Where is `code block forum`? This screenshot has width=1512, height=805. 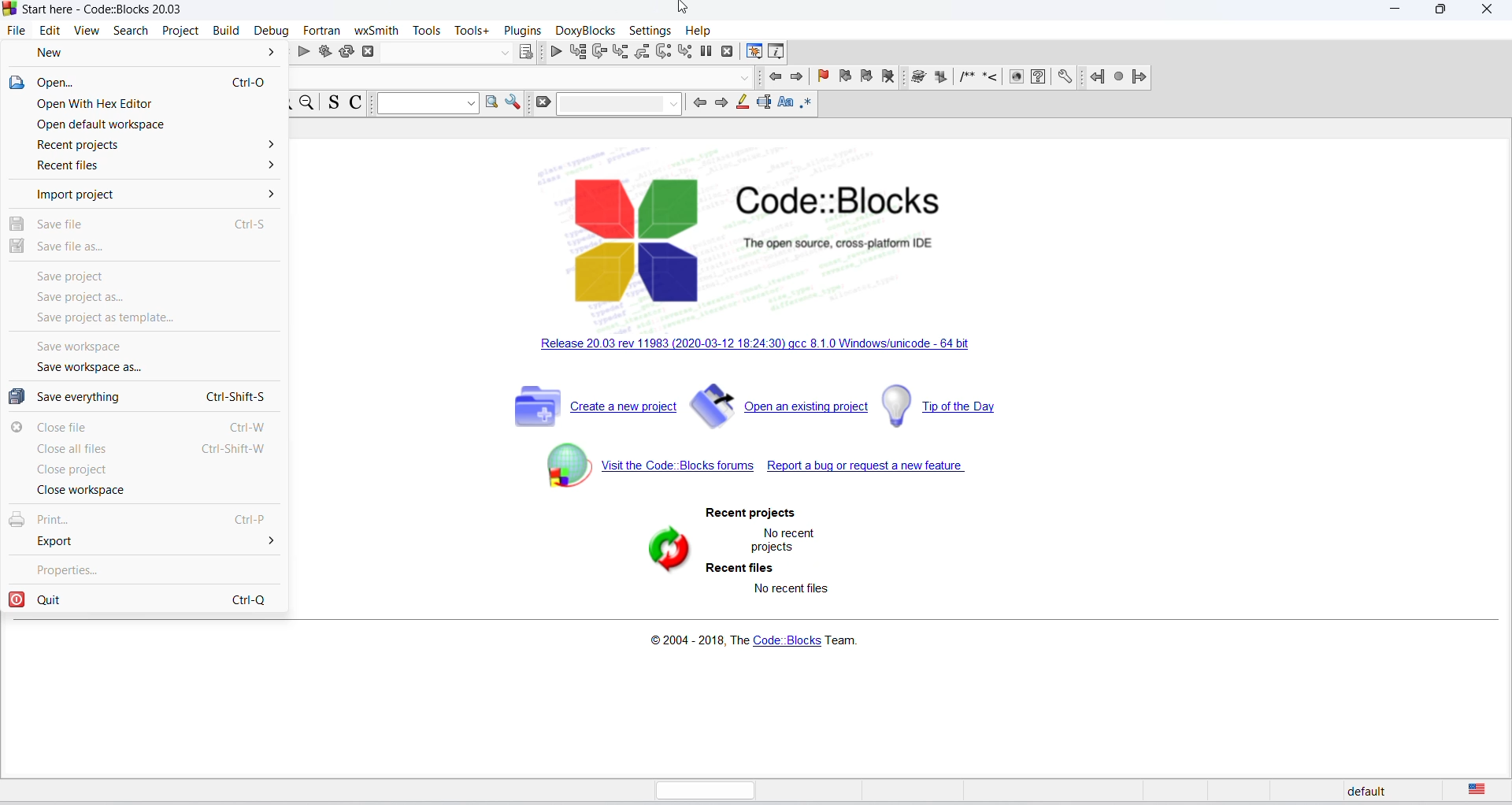
code block forum is located at coordinates (631, 466).